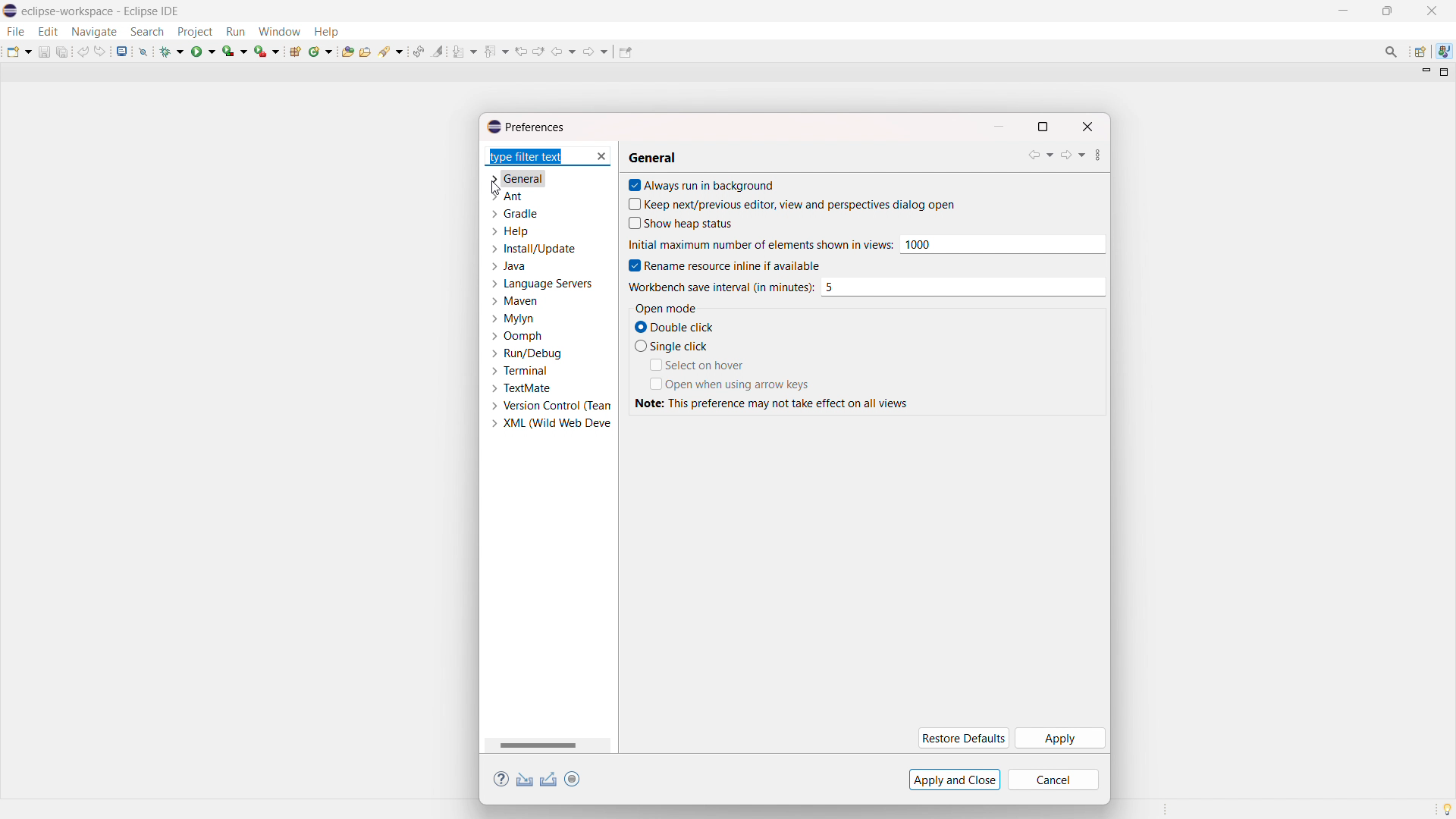  Describe the element at coordinates (631, 203) in the screenshot. I see `Checkbox` at that location.